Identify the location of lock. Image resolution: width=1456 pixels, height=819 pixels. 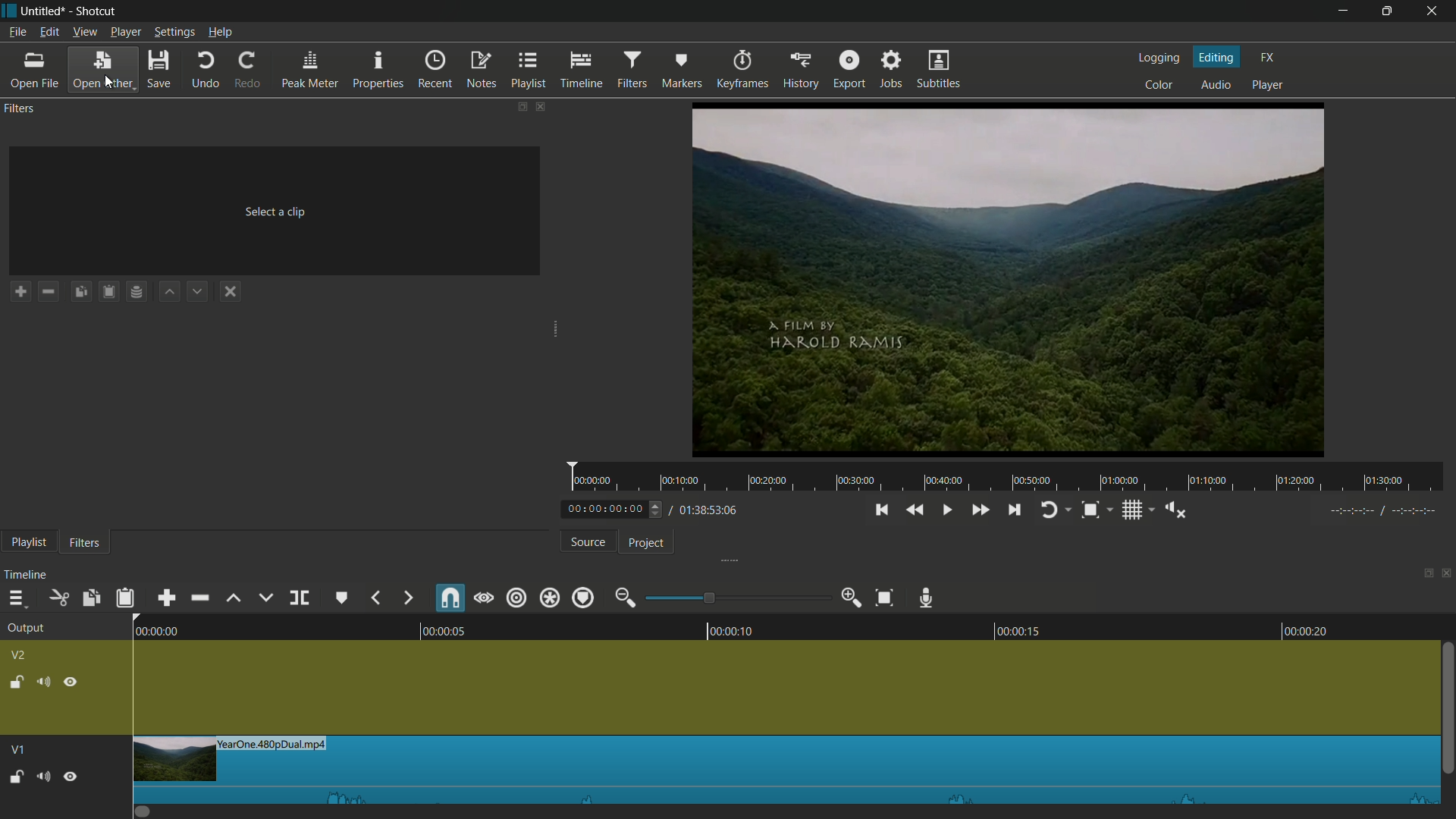
(14, 680).